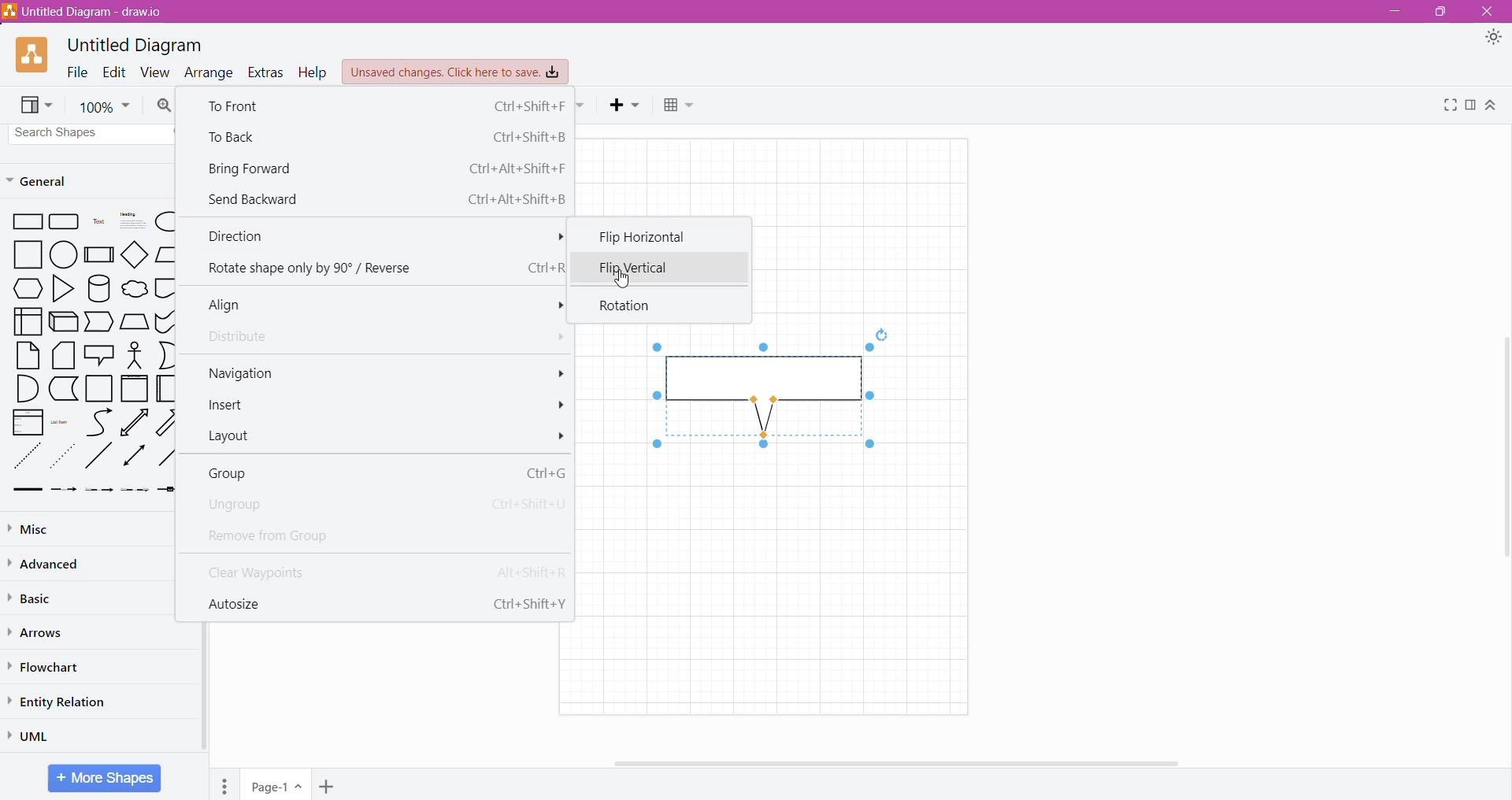 The image size is (1512, 800). What do you see at coordinates (33, 56) in the screenshot?
I see `Application Logo` at bounding box center [33, 56].